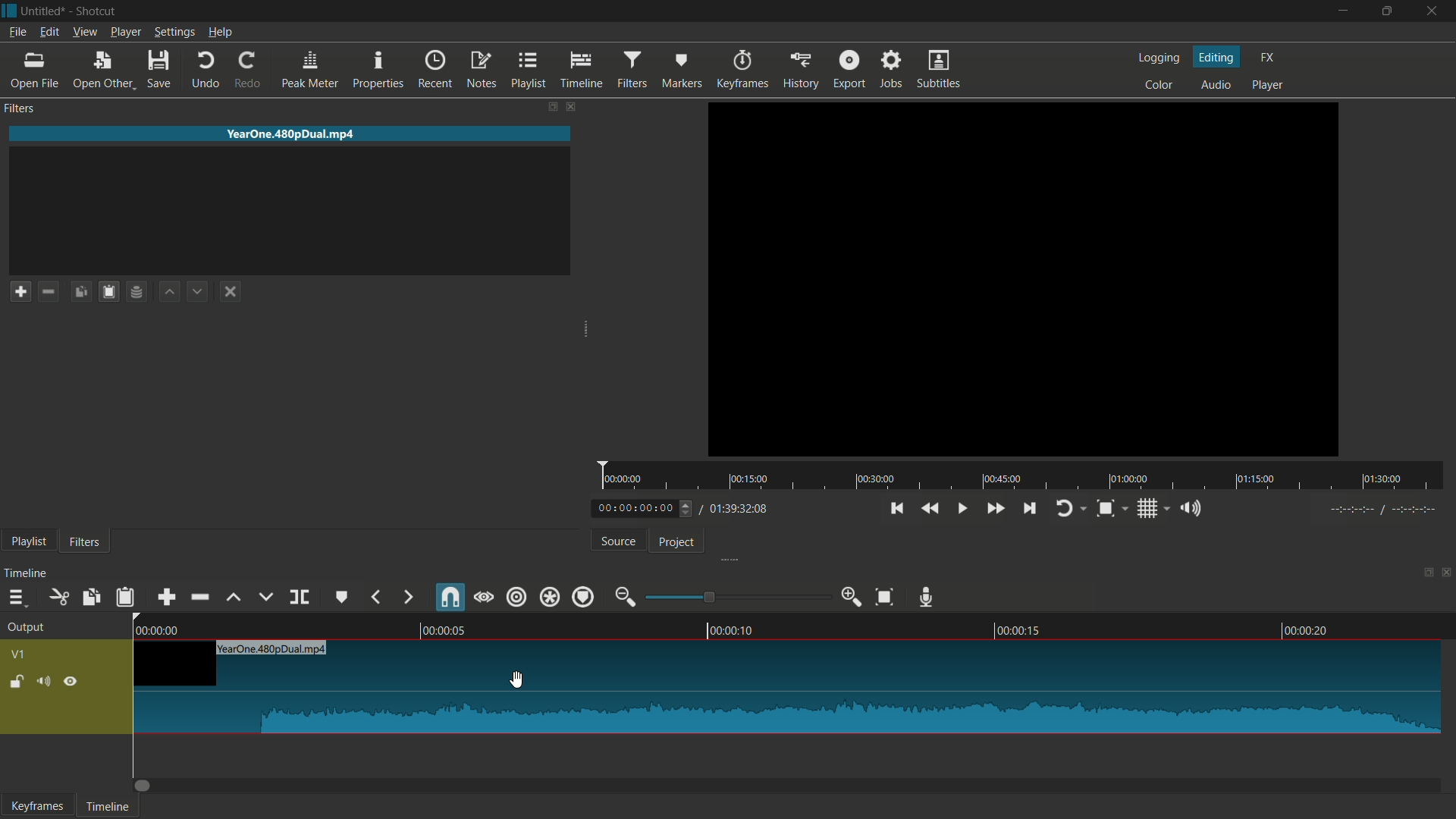  What do you see at coordinates (34, 70) in the screenshot?
I see `open file` at bounding box center [34, 70].